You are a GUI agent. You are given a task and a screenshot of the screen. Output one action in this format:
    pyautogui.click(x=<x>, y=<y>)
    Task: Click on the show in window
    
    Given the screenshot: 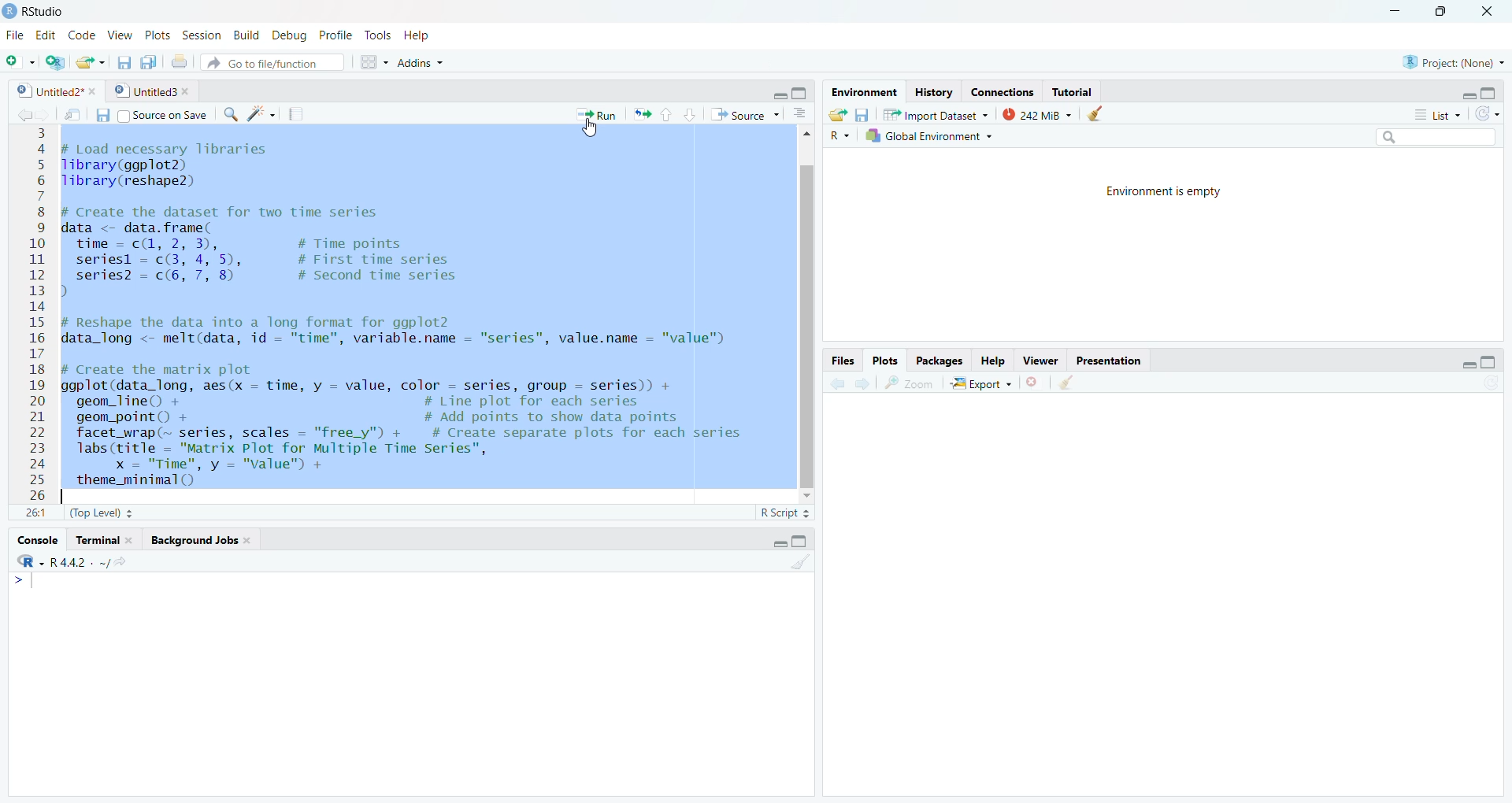 What is the action you would take?
    pyautogui.click(x=75, y=114)
    